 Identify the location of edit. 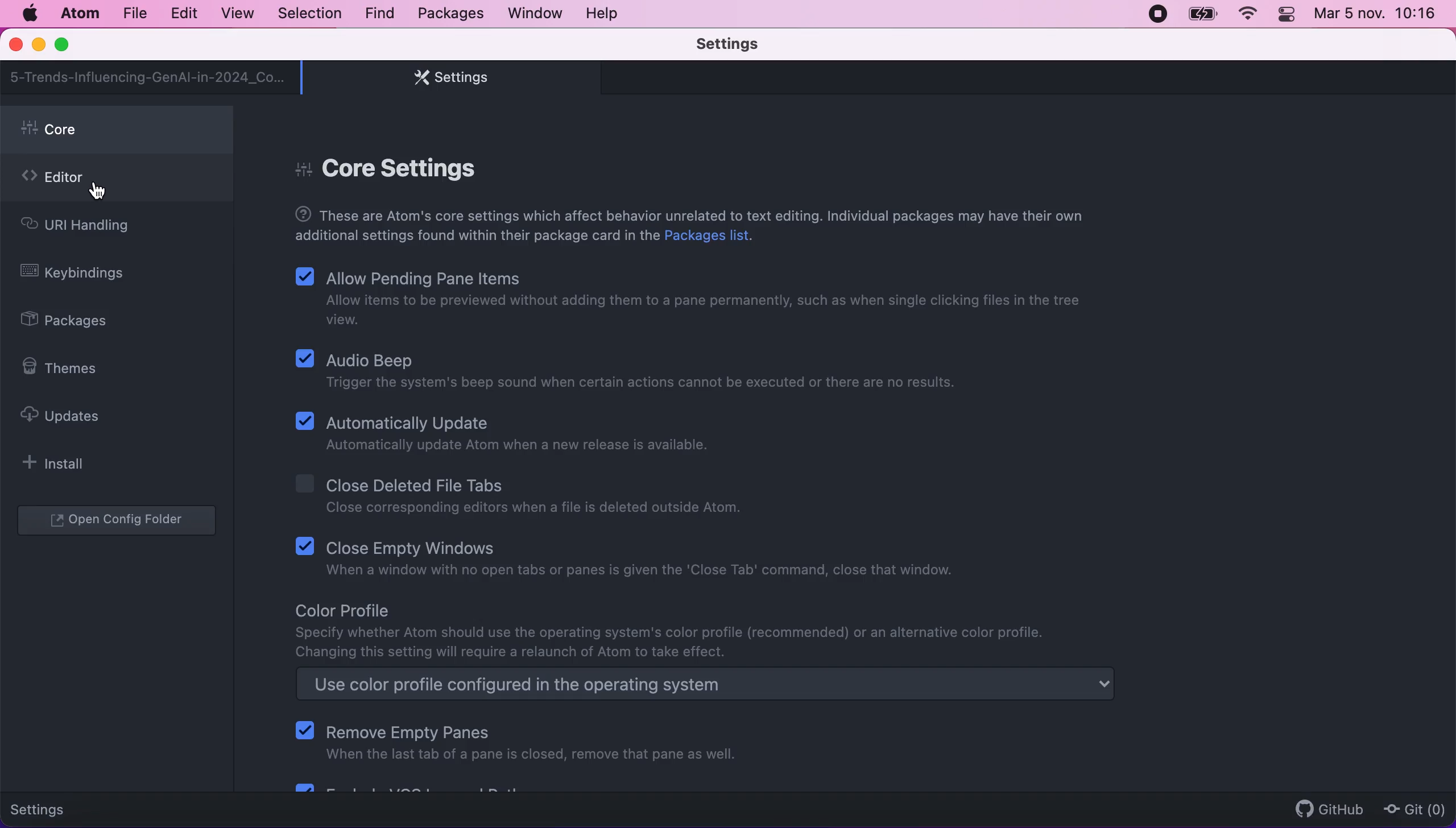
(183, 14).